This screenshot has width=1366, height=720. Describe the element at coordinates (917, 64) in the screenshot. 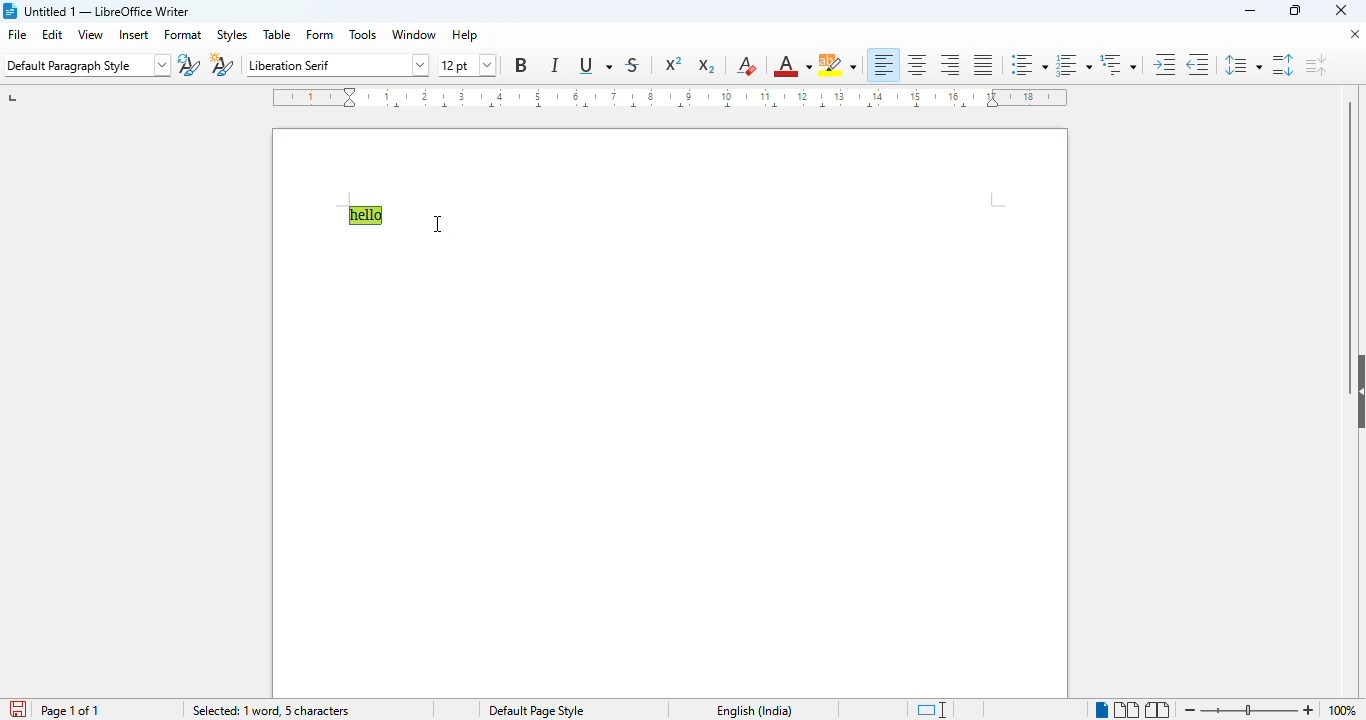

I see `align center` at that location.